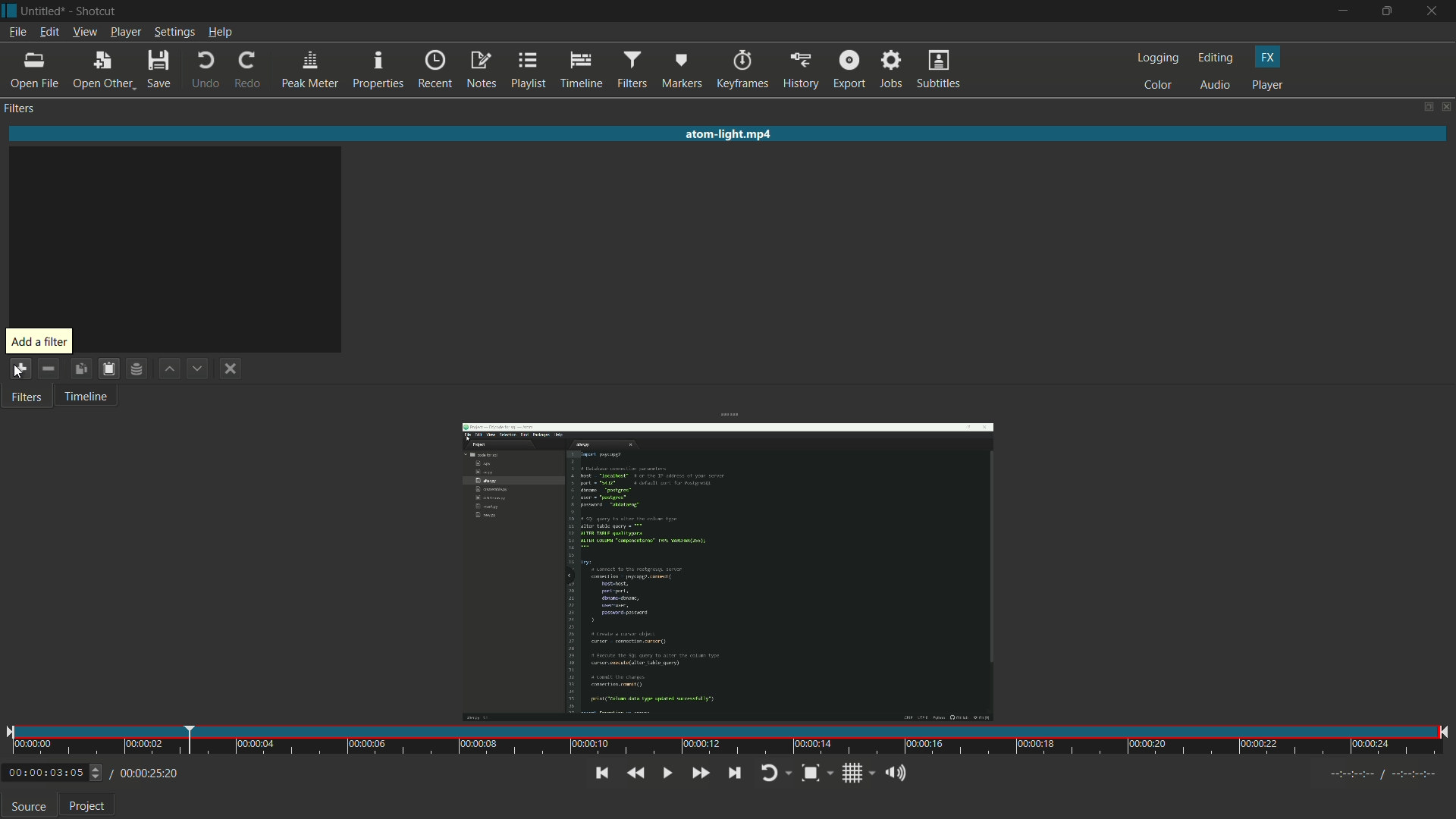 The height and width of the screenshot is (819, 1456). What do you see at coordinates (310, 70) in the screenshot?
I see `peak meter` at bounding box center [310, 70].